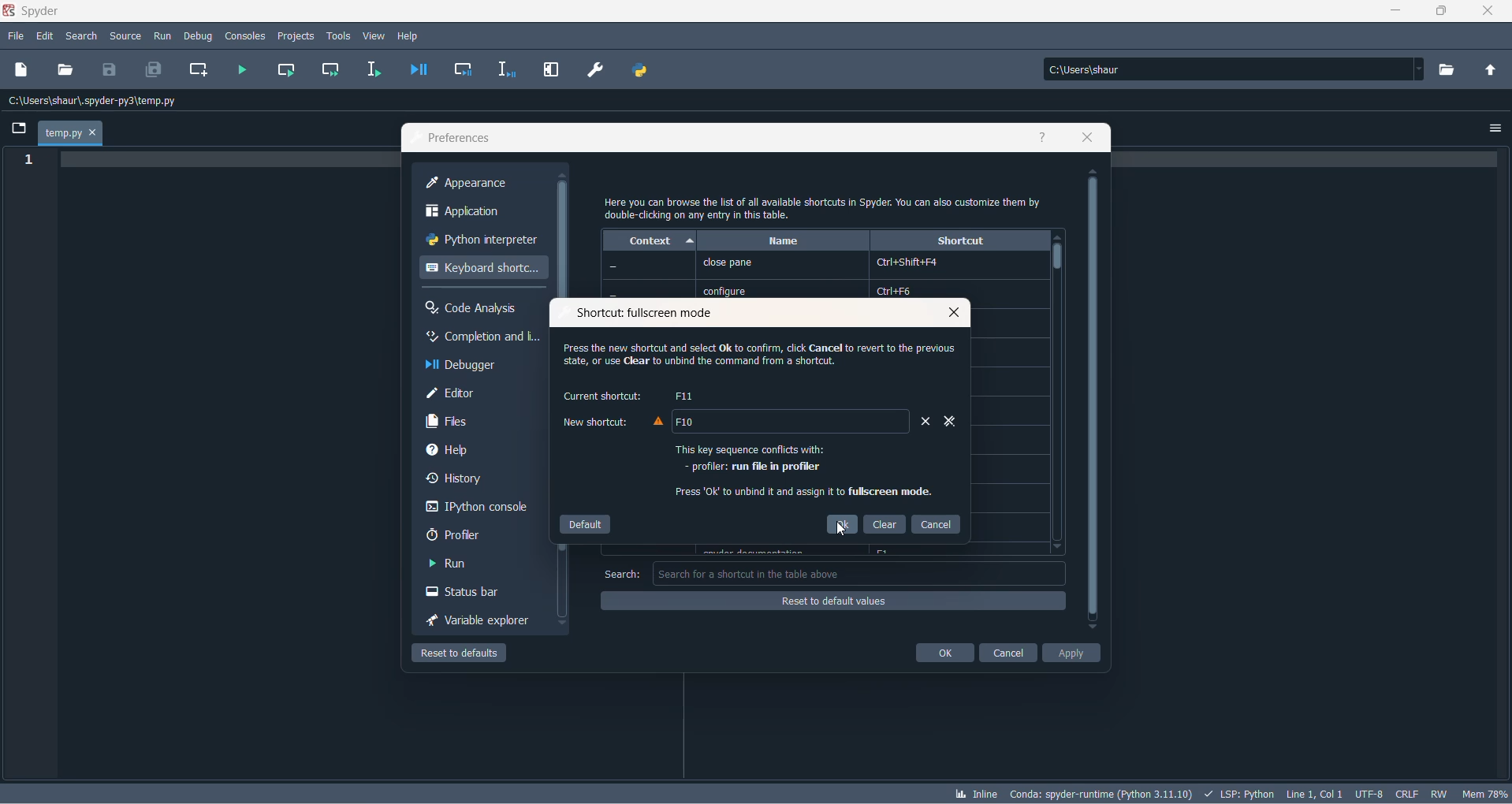 Image resolution: width=1512 pixels, height=804 pixels. What do you see at coordinates (110, 69) in the screenshot?
I see `save` at bounding box center [110, 69].